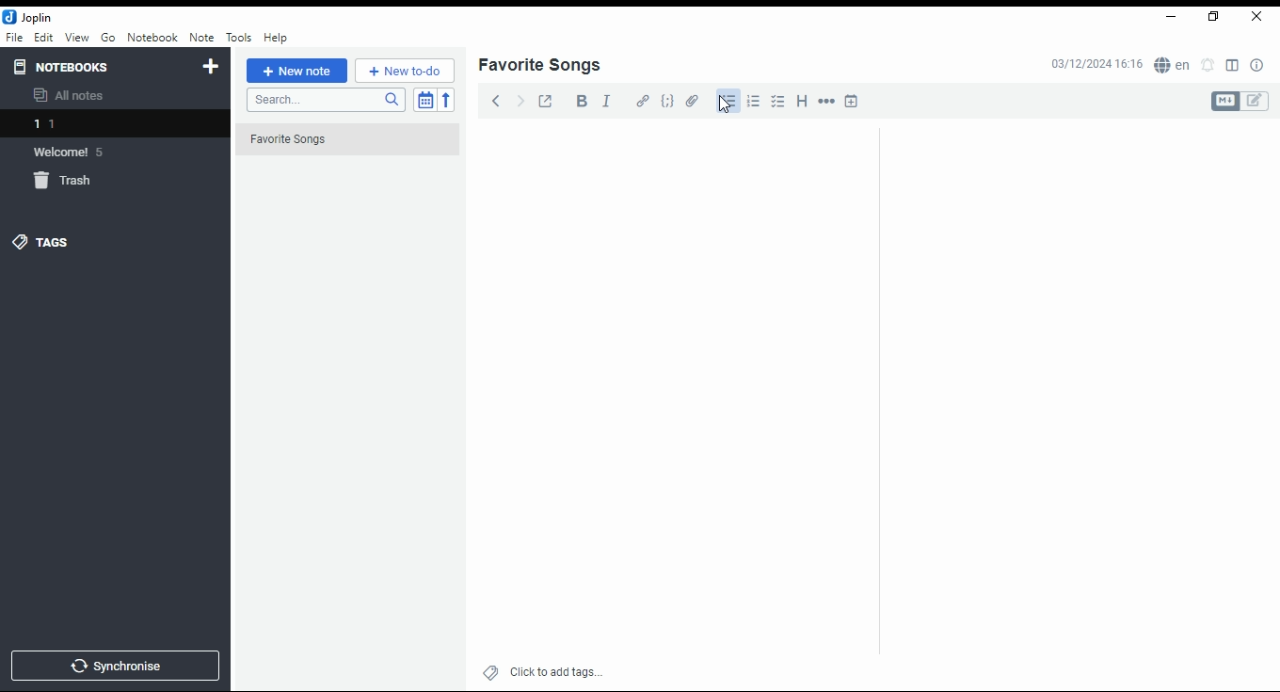 The width and height of the screenshot is (1280, 692). I want to click on view, so click(77, 38).